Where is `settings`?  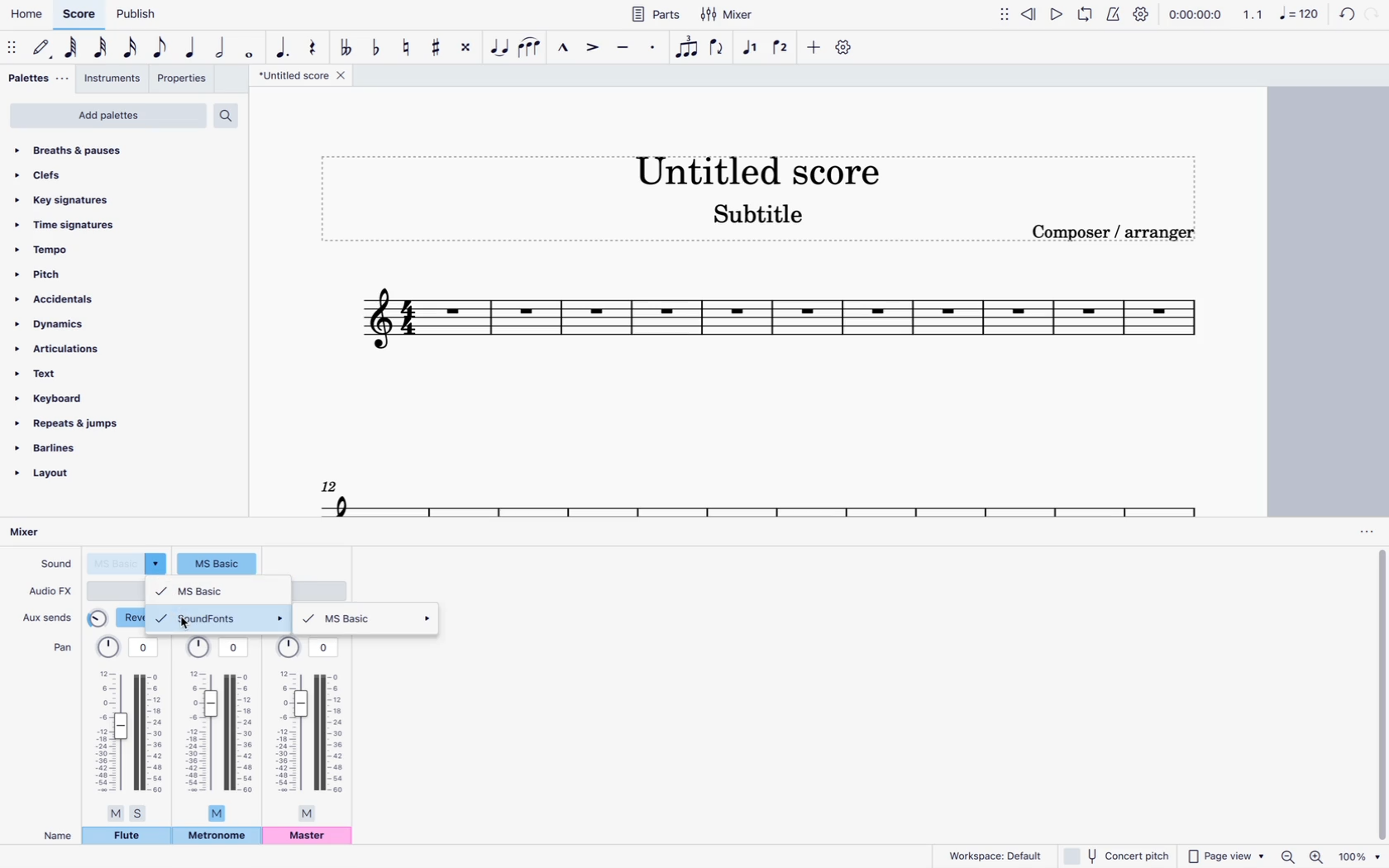 settings is located at coordinates (846, 47).